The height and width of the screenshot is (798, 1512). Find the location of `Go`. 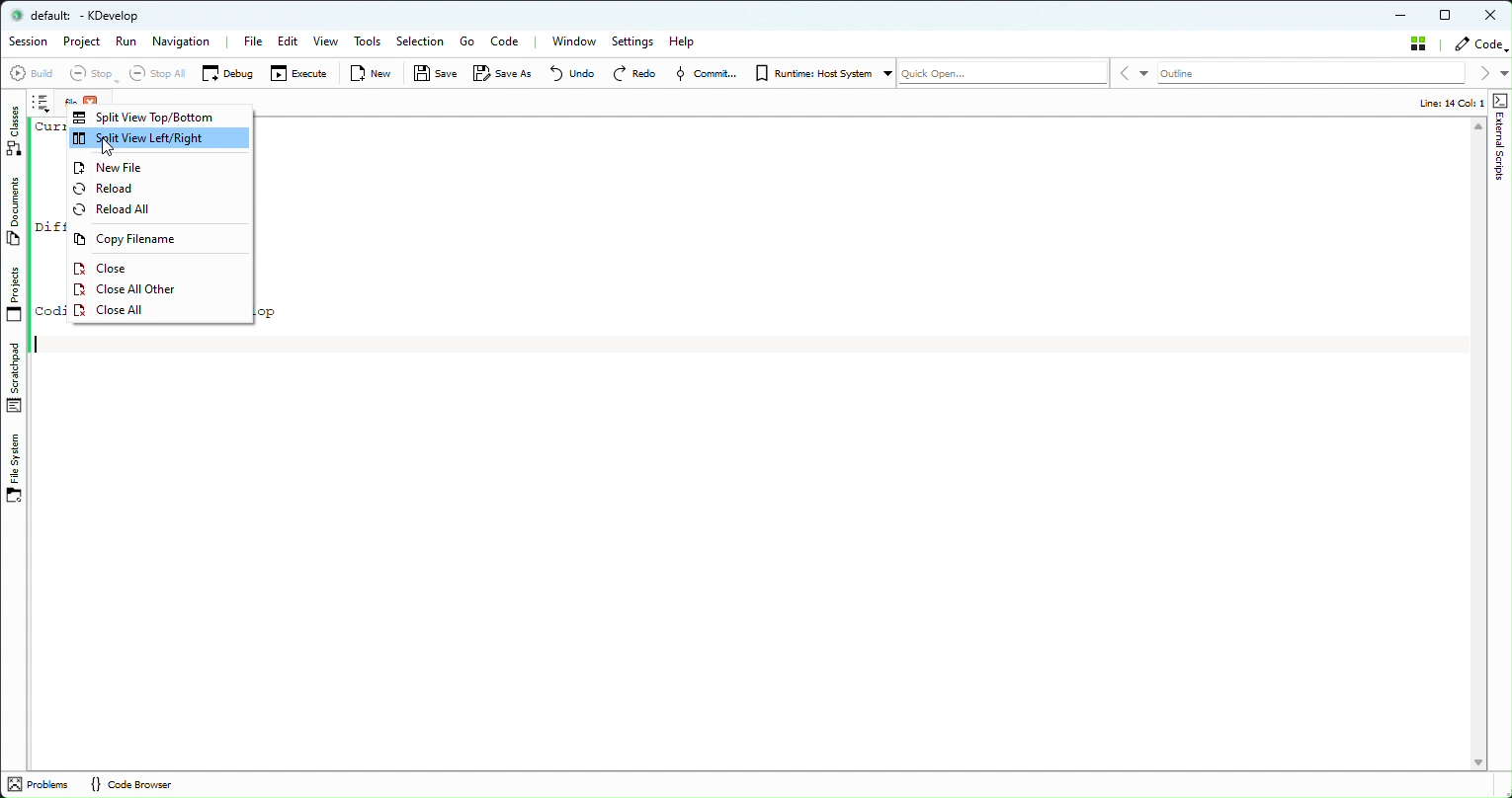

Go is located at coordinates (467, 43).